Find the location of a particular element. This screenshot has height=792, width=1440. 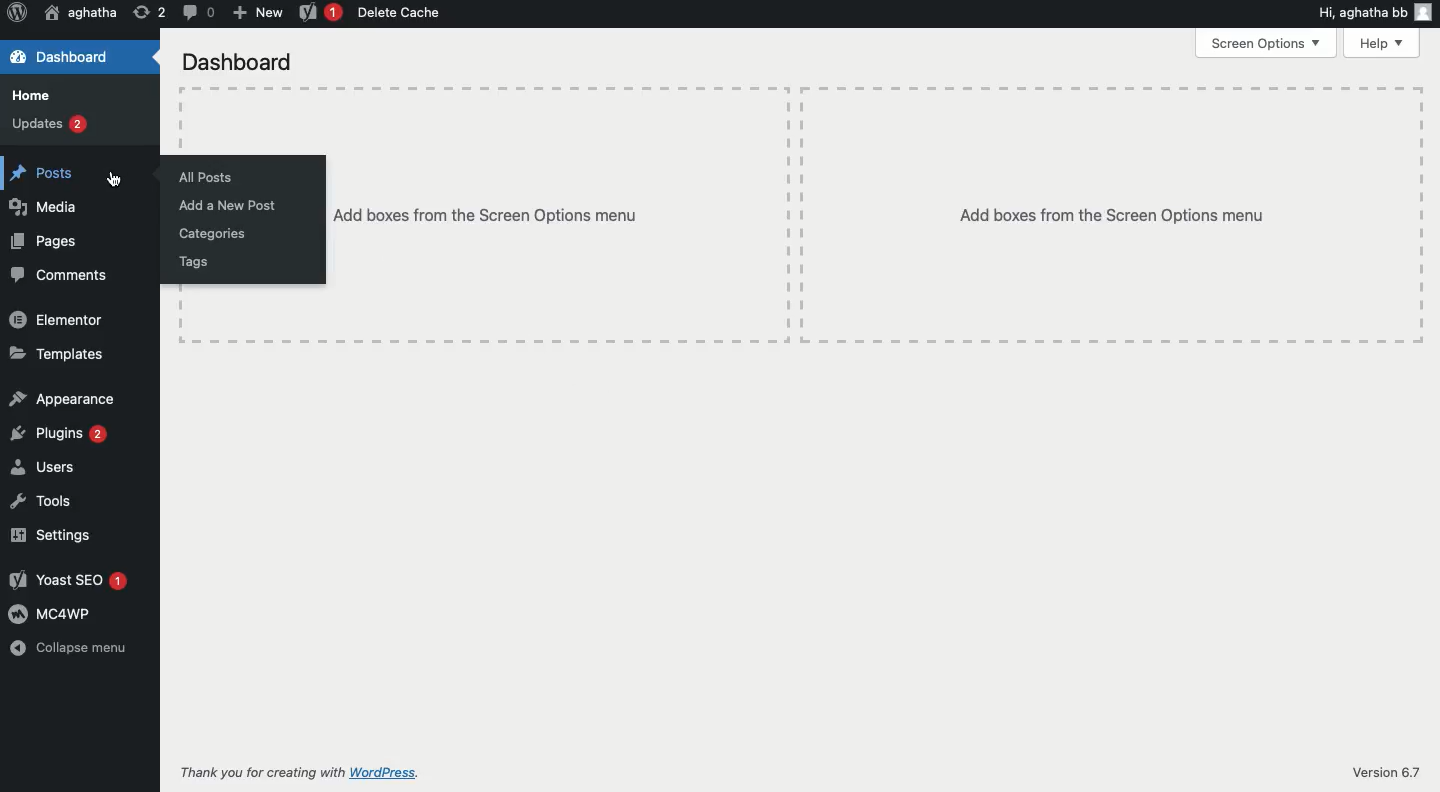

Screen Options is located at coordinates (1264, 42).